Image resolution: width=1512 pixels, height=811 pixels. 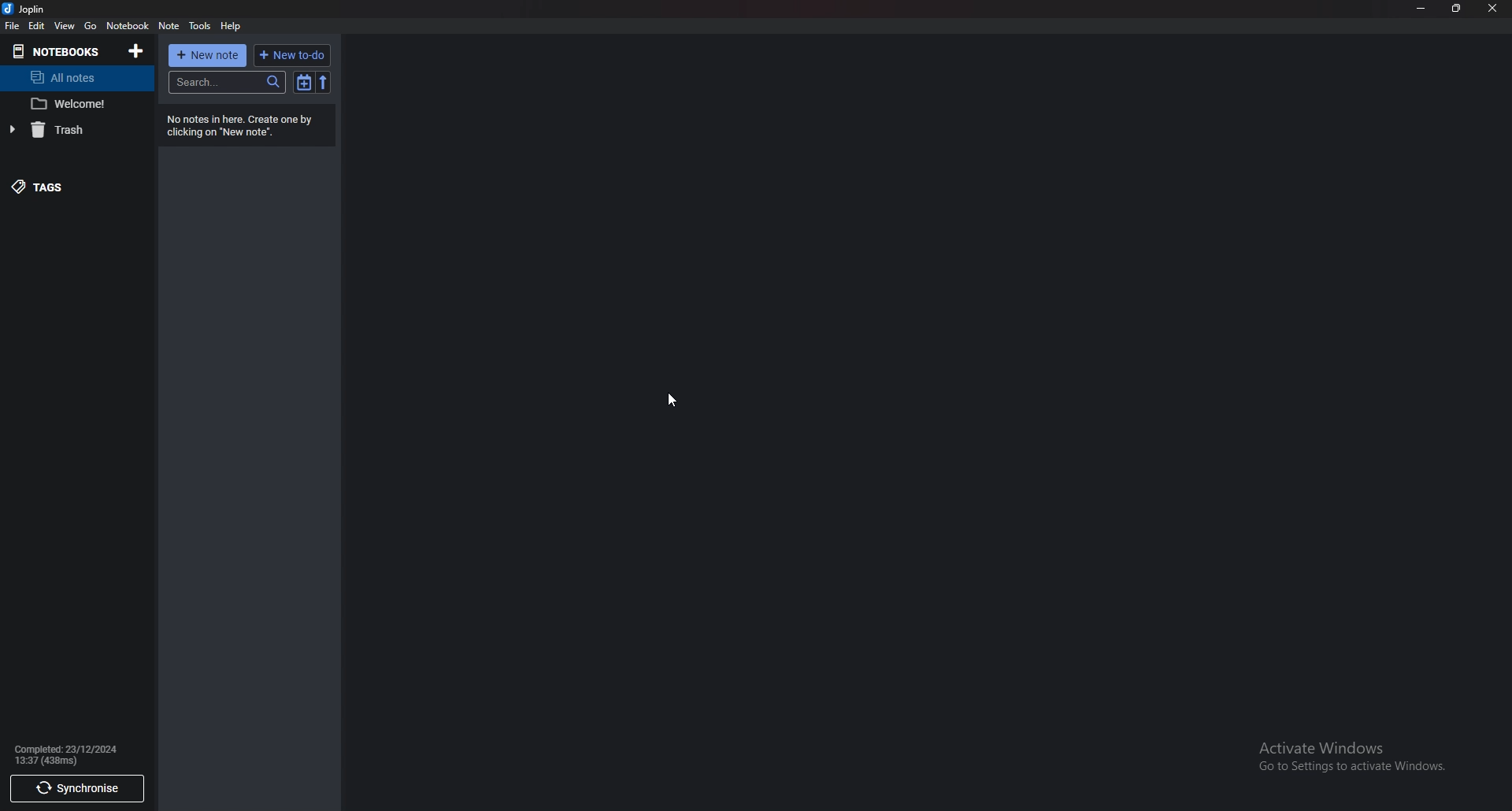 I want to click on Notebooks, so click(x=57, y=53).